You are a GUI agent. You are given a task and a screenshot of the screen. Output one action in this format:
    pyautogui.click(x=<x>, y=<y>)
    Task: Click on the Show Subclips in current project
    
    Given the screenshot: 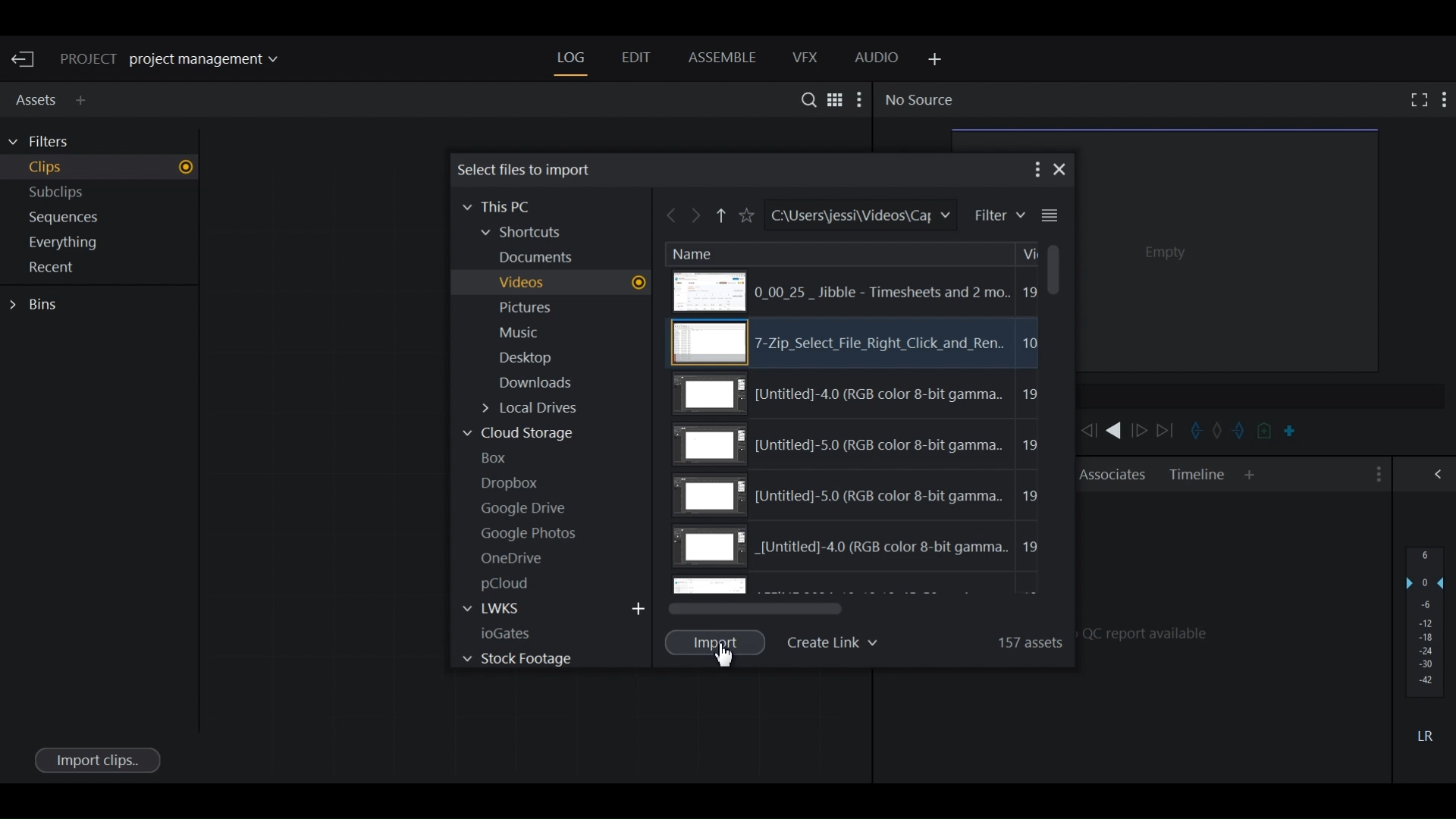 What is the action you would take?
    pyautogui.click(x=103, y=195)
    